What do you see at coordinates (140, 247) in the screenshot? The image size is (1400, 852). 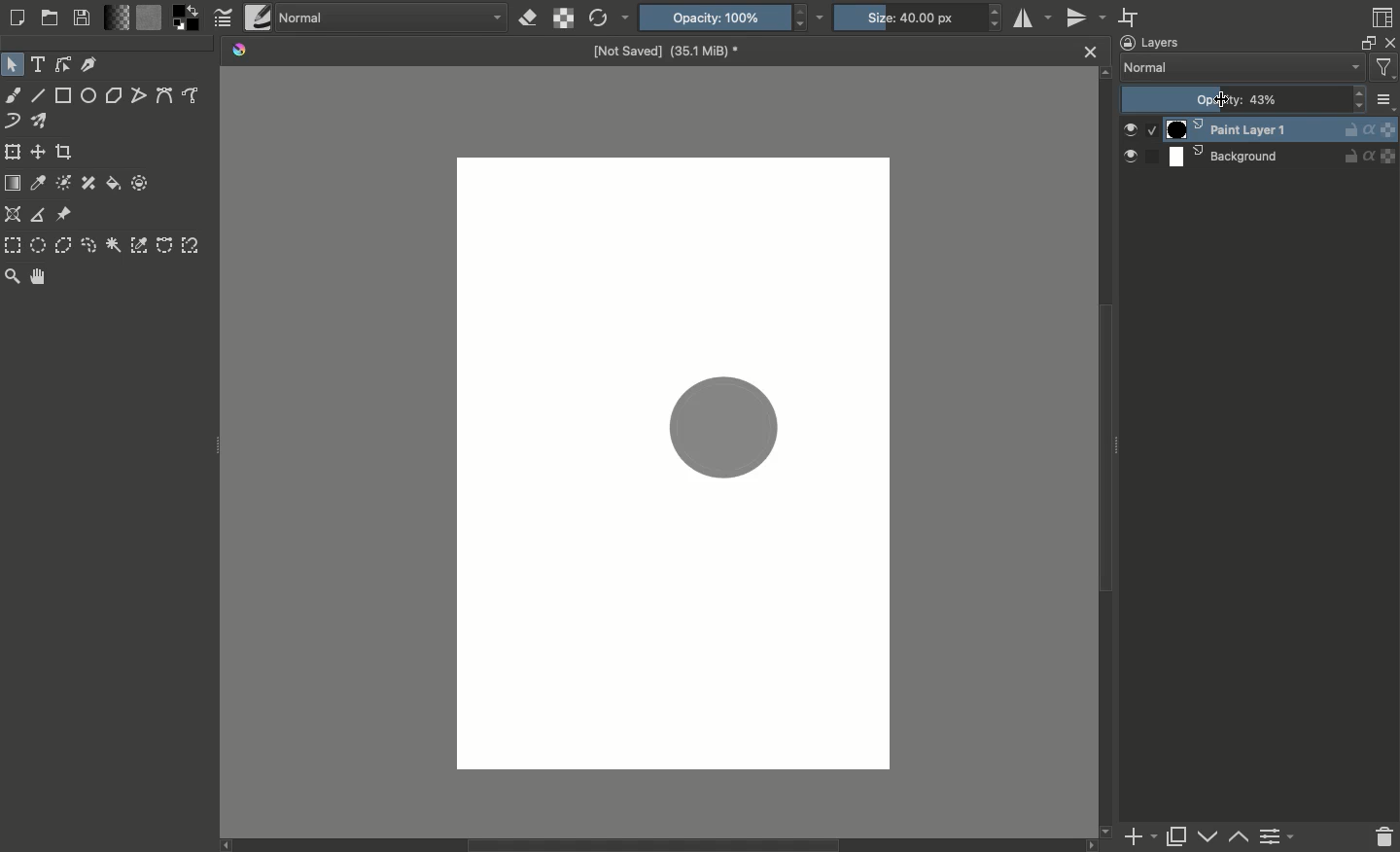 I see `Color selection tool` at bounding box center [140, 247].